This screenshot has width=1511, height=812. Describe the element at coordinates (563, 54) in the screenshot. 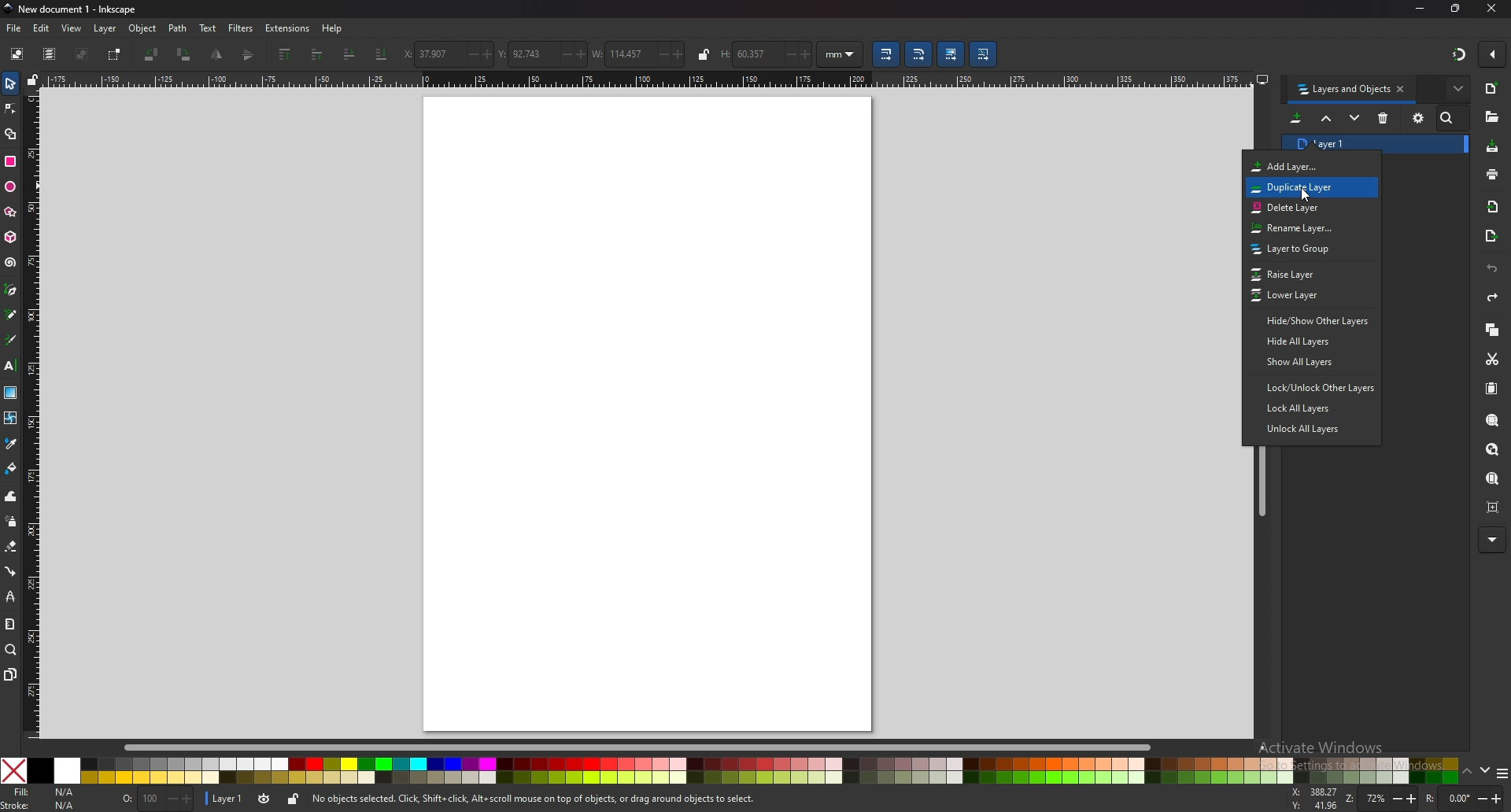

I see `decrease` at that location.